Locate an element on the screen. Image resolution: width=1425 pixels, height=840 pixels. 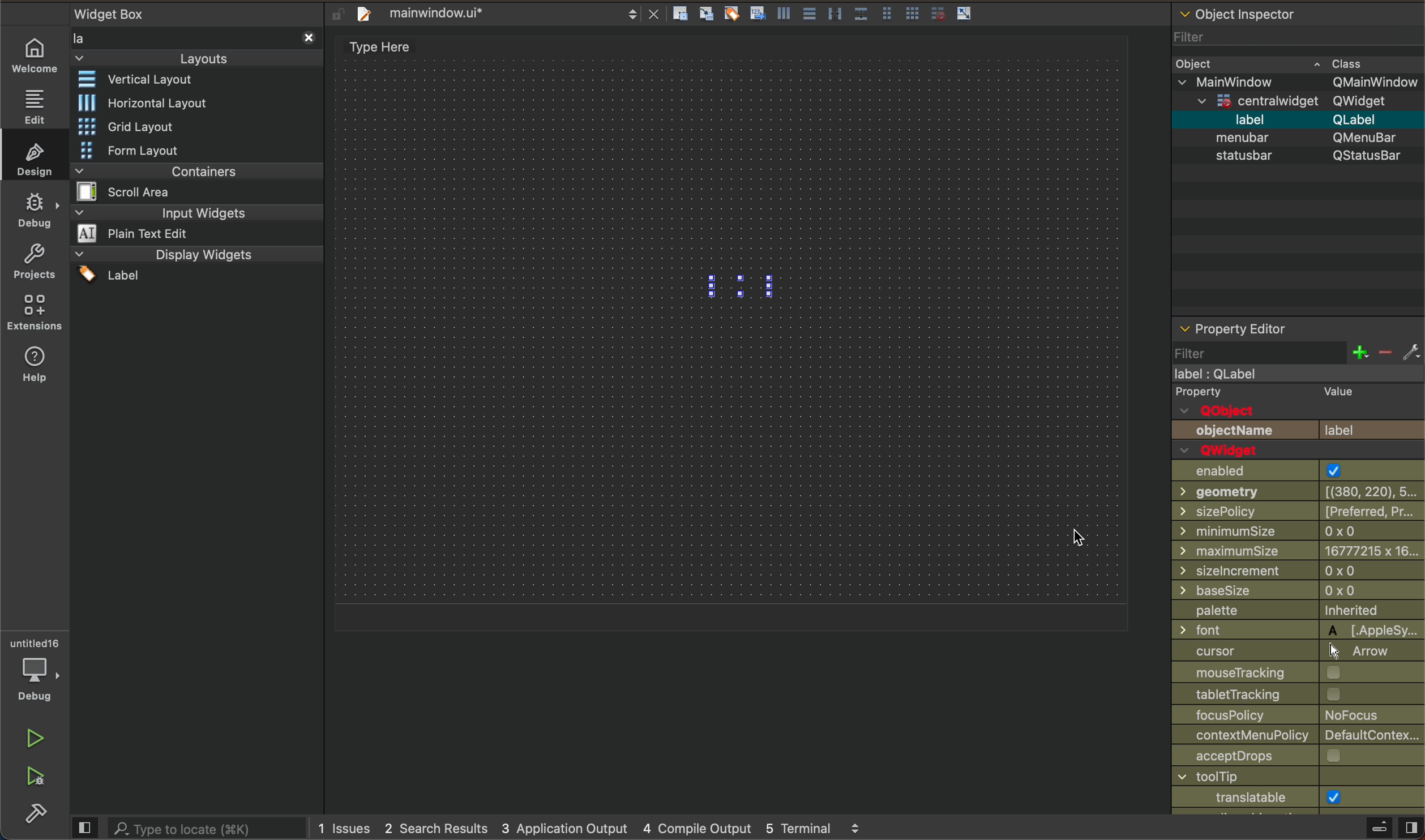
widget box is located at coordinates (151, 11).